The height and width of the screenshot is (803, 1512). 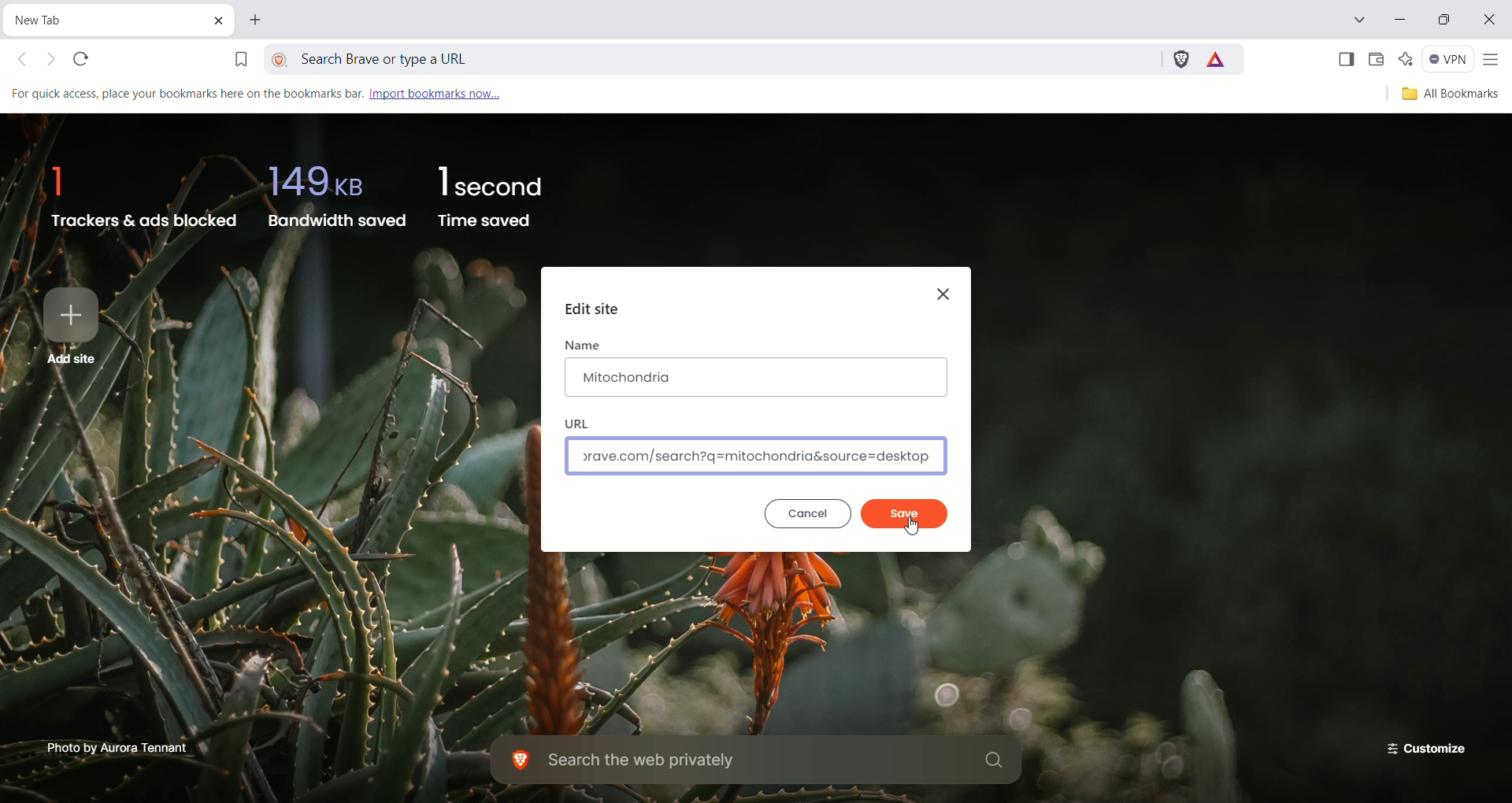 I want to click on edit site, so click(x=594, y=313).